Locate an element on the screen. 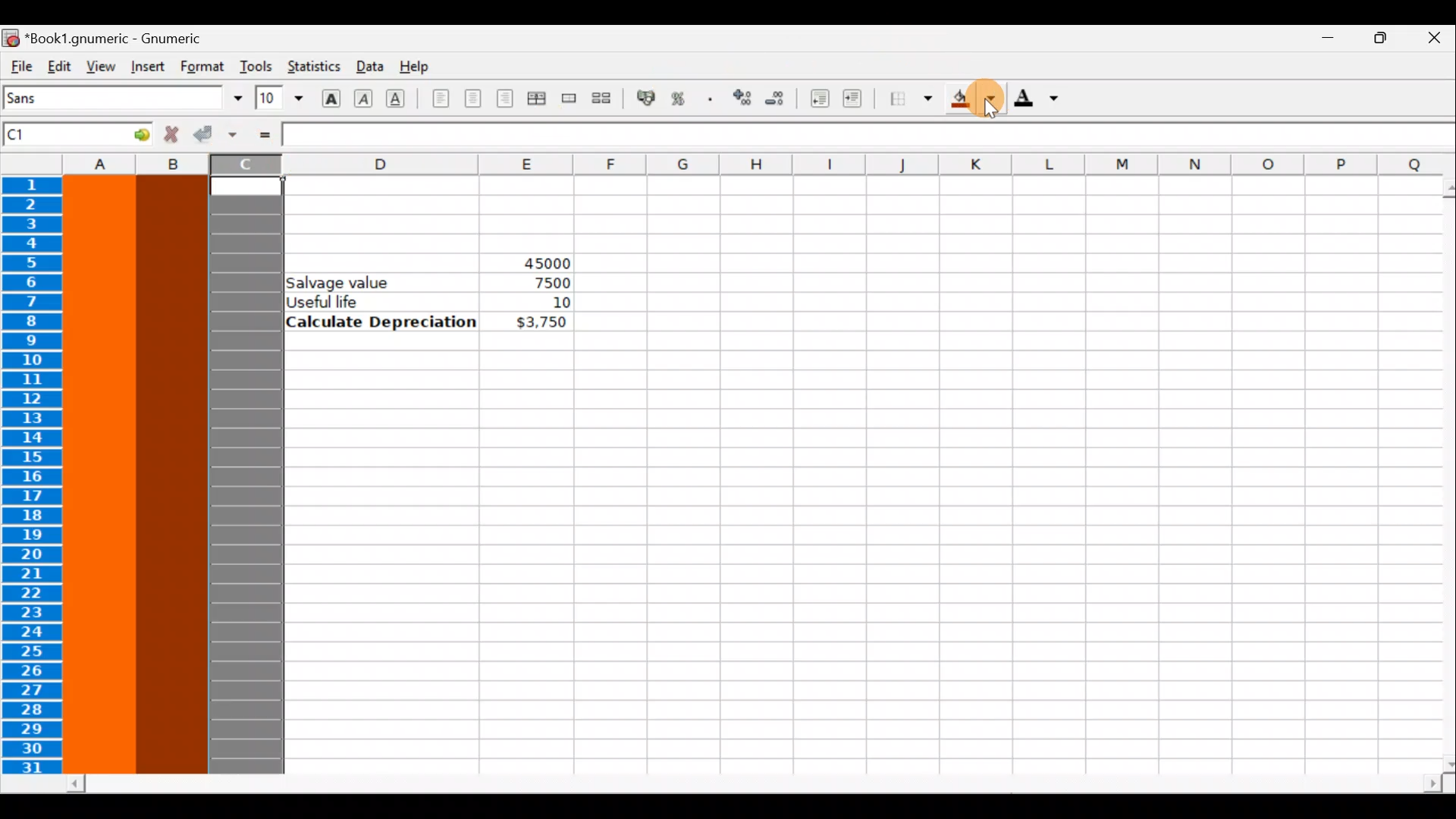 The image size is (1456, 819). Book1.gnumeric - Gnumeric is located at coordinates (122, 37).